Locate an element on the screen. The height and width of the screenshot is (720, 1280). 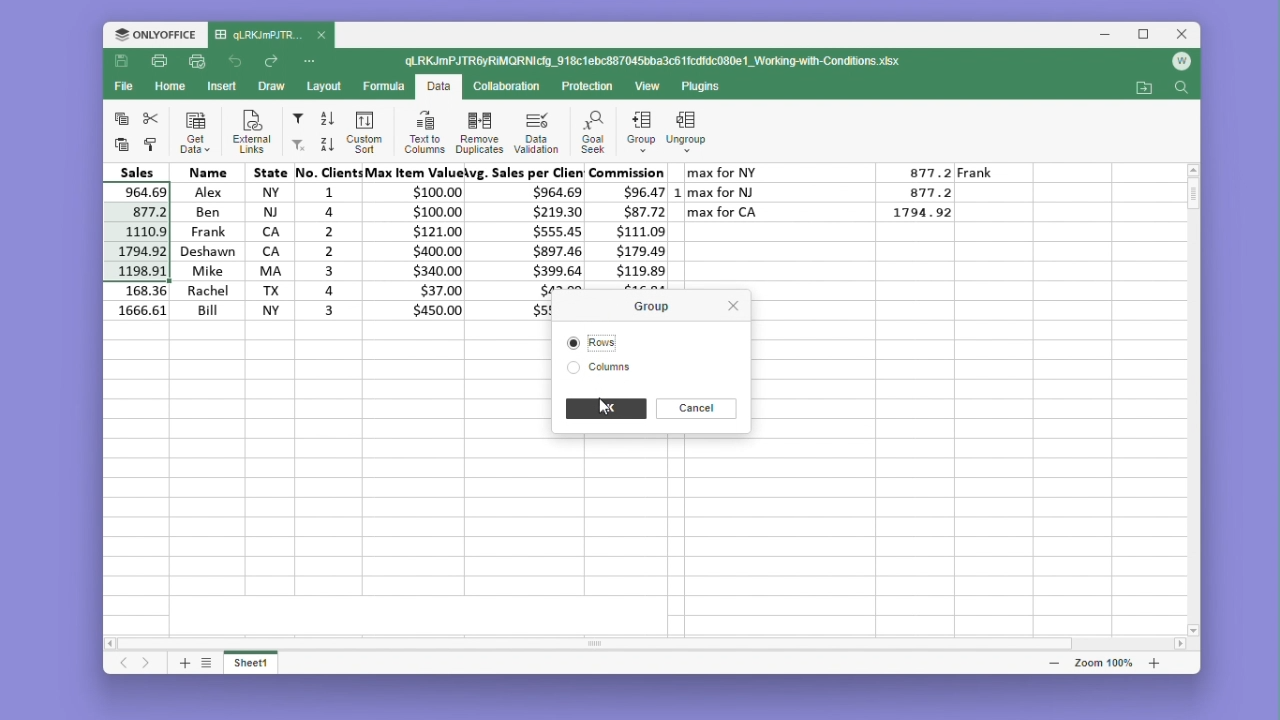
Plugins  is located at coordinates (706, 87).